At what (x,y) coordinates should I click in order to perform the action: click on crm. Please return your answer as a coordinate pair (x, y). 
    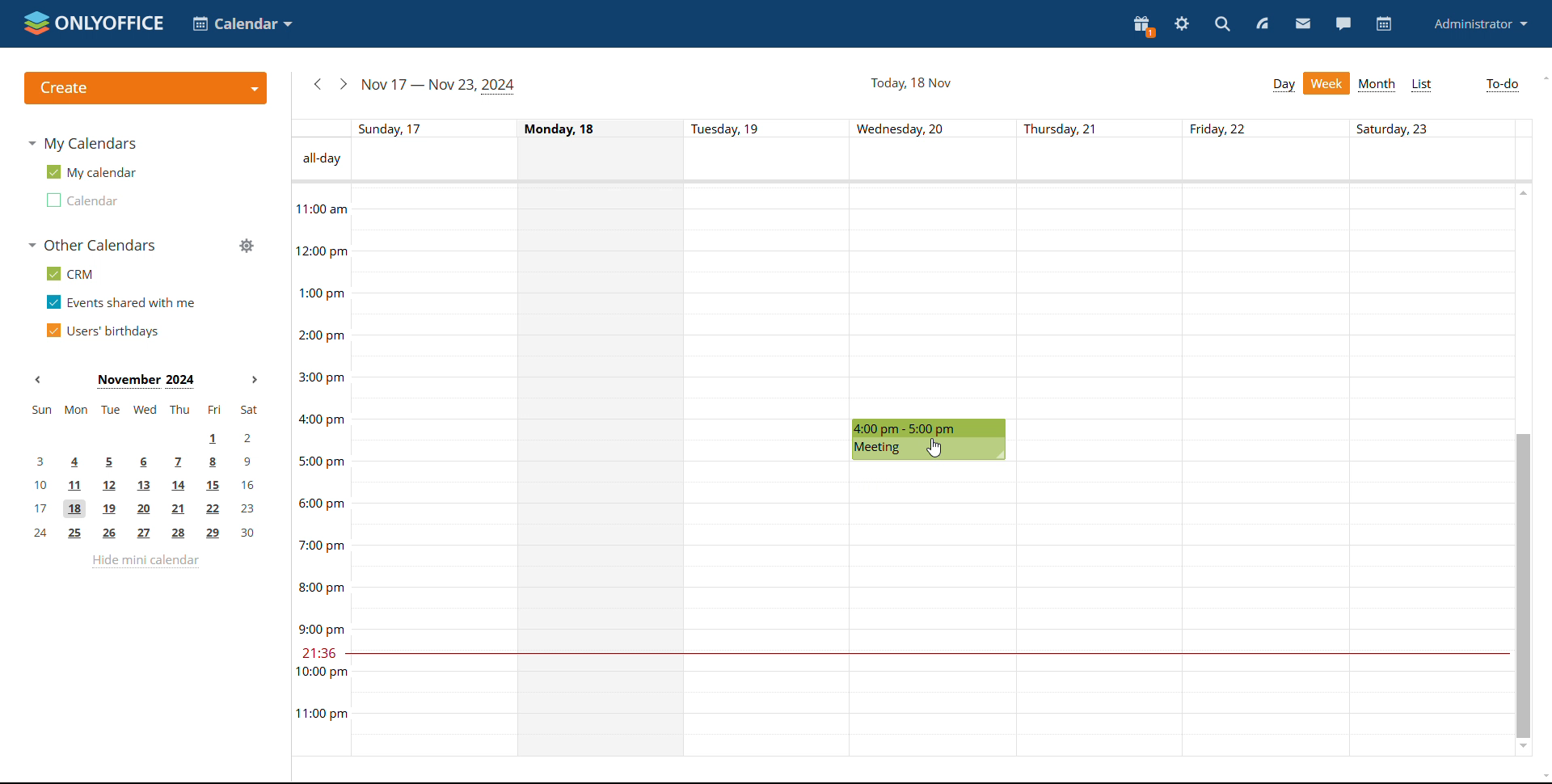
    Looking at the image, I should click on (67, 273).